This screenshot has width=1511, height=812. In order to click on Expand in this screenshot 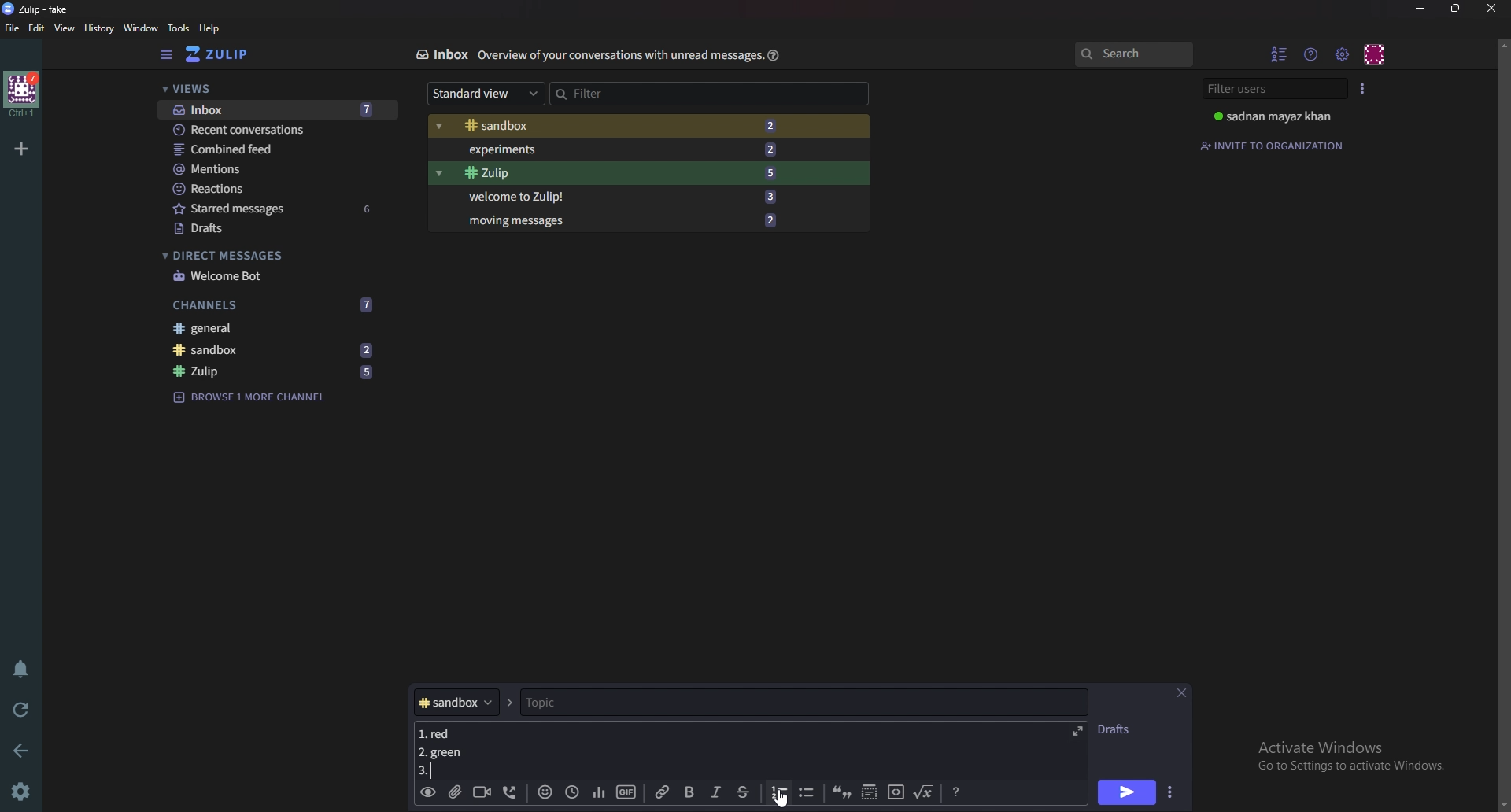, I will do `click(1076, 733)`.